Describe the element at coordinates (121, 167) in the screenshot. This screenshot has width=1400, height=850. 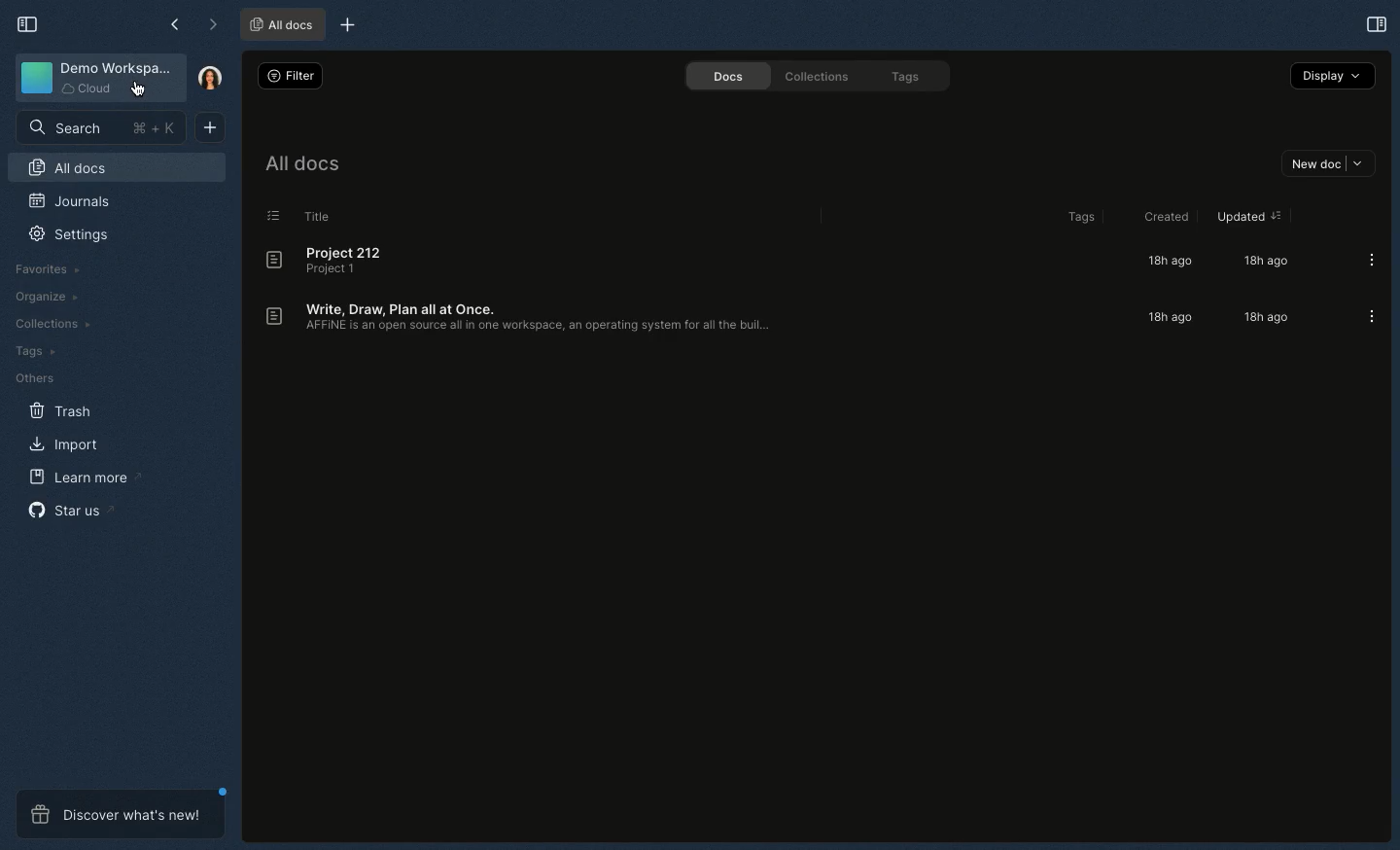
I see `All docs` at that location.